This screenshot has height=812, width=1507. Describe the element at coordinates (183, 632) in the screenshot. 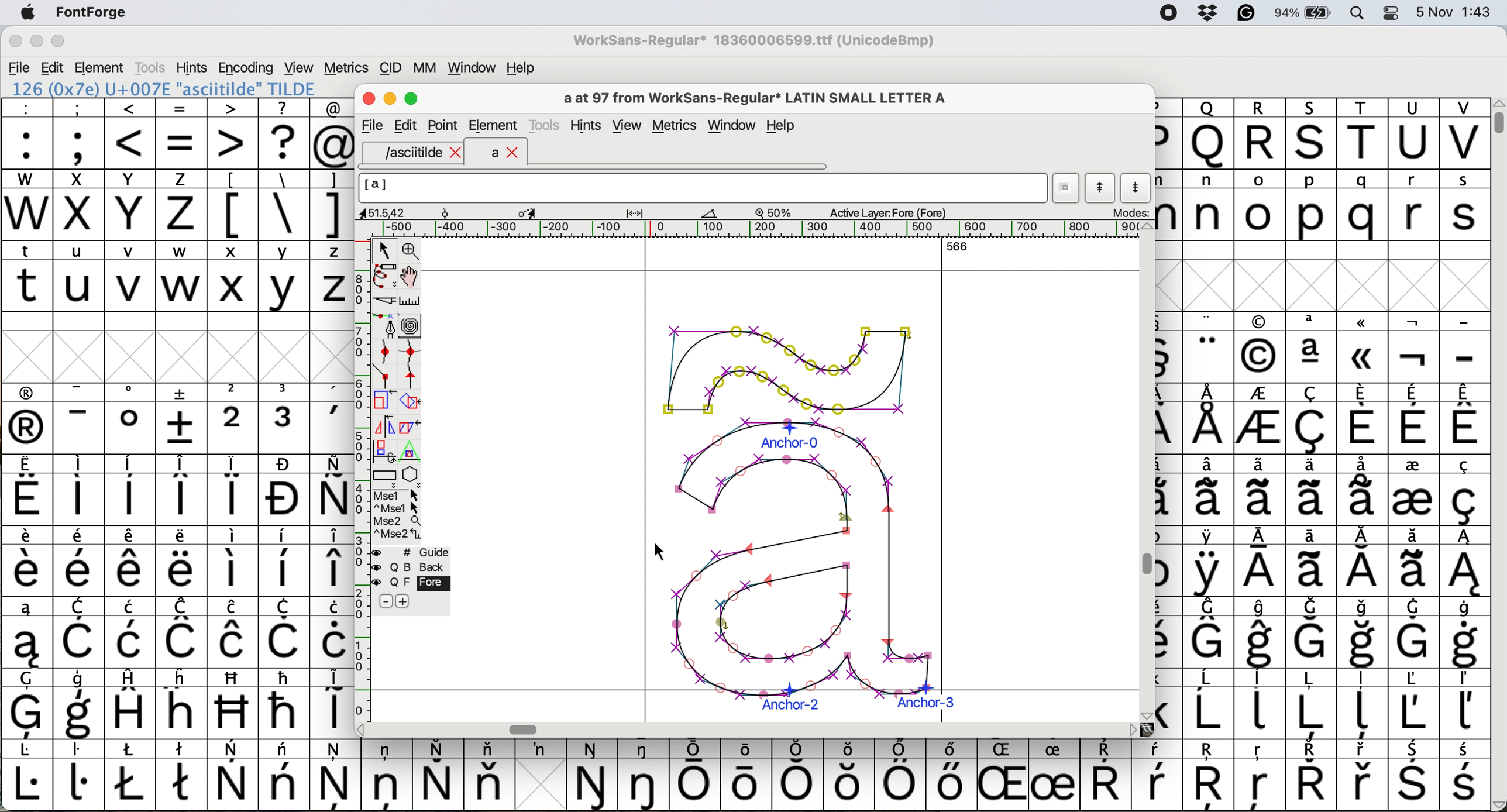

I see `symbol` at that location.